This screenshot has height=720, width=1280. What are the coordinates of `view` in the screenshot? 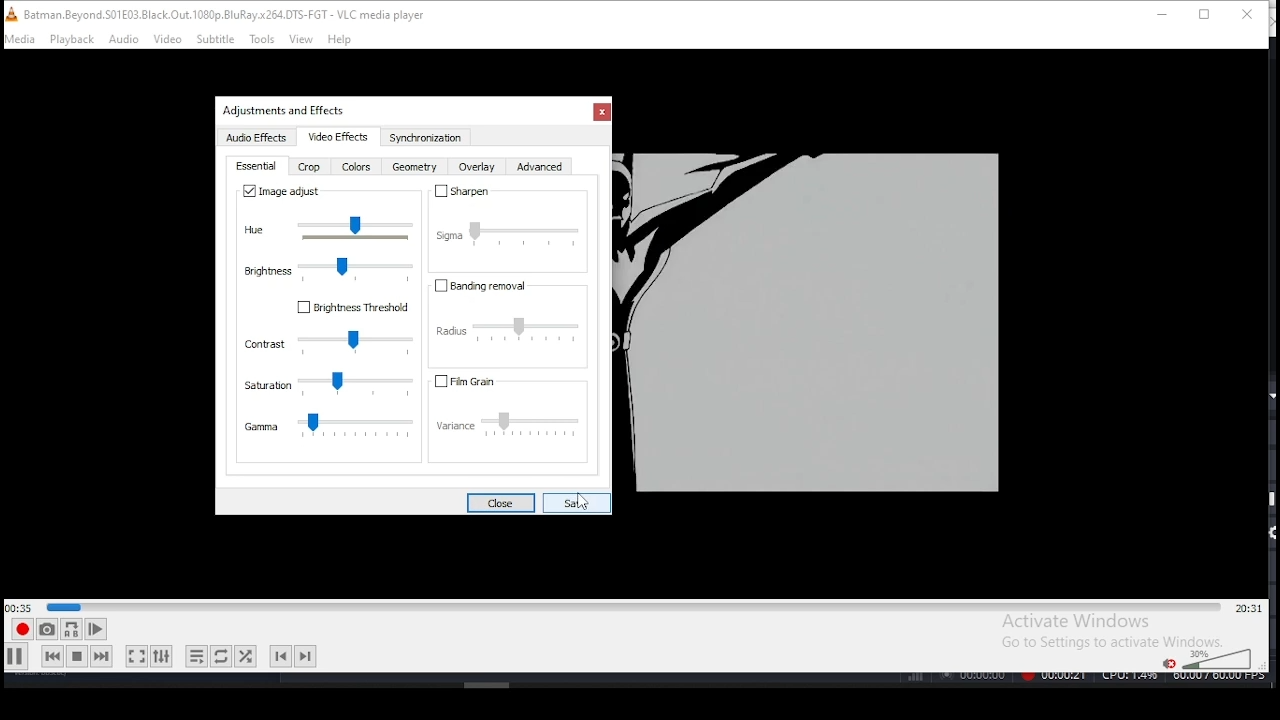 It's located at (302, 39).